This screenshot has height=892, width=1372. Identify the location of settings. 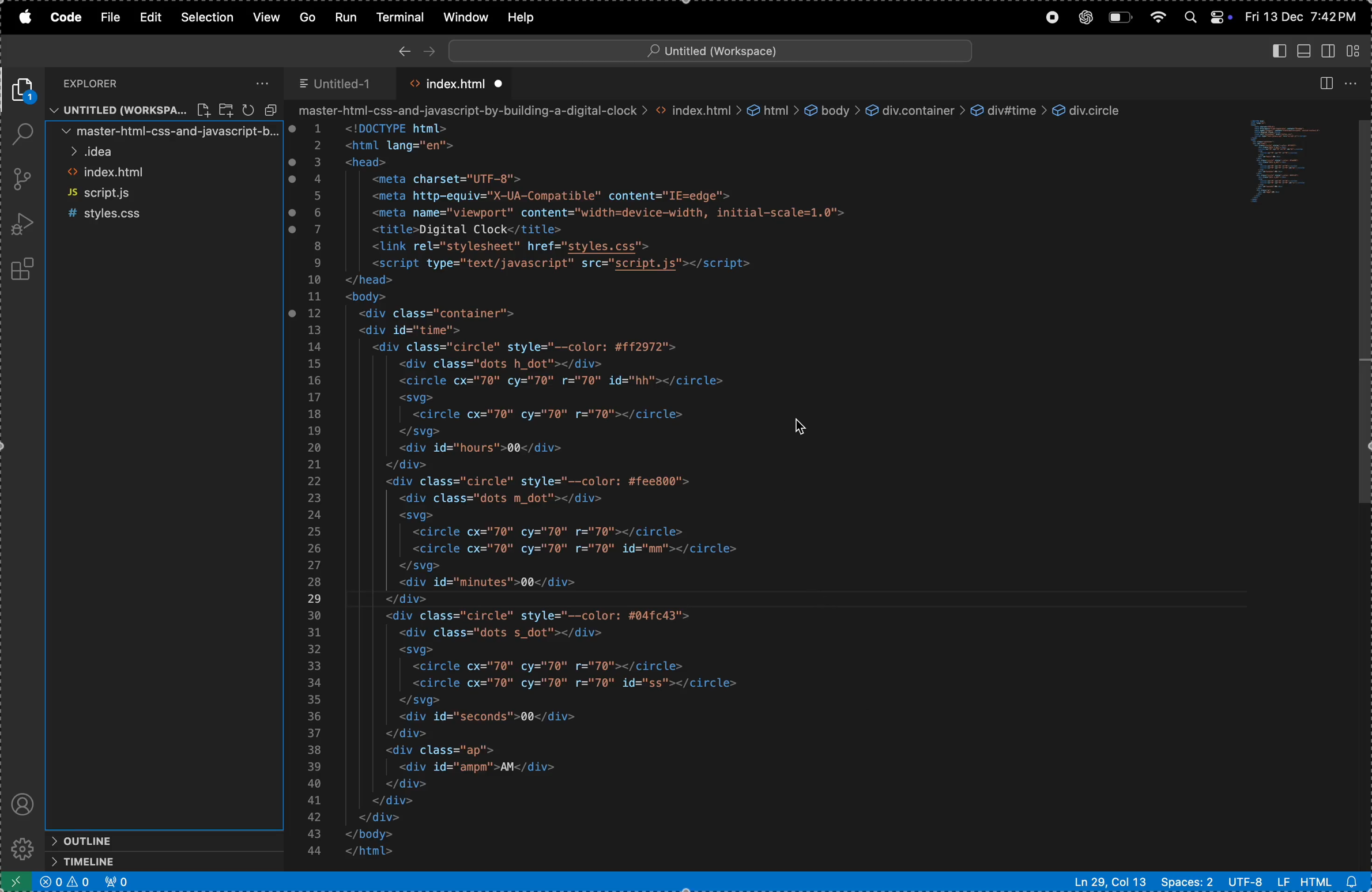
(21, 849).